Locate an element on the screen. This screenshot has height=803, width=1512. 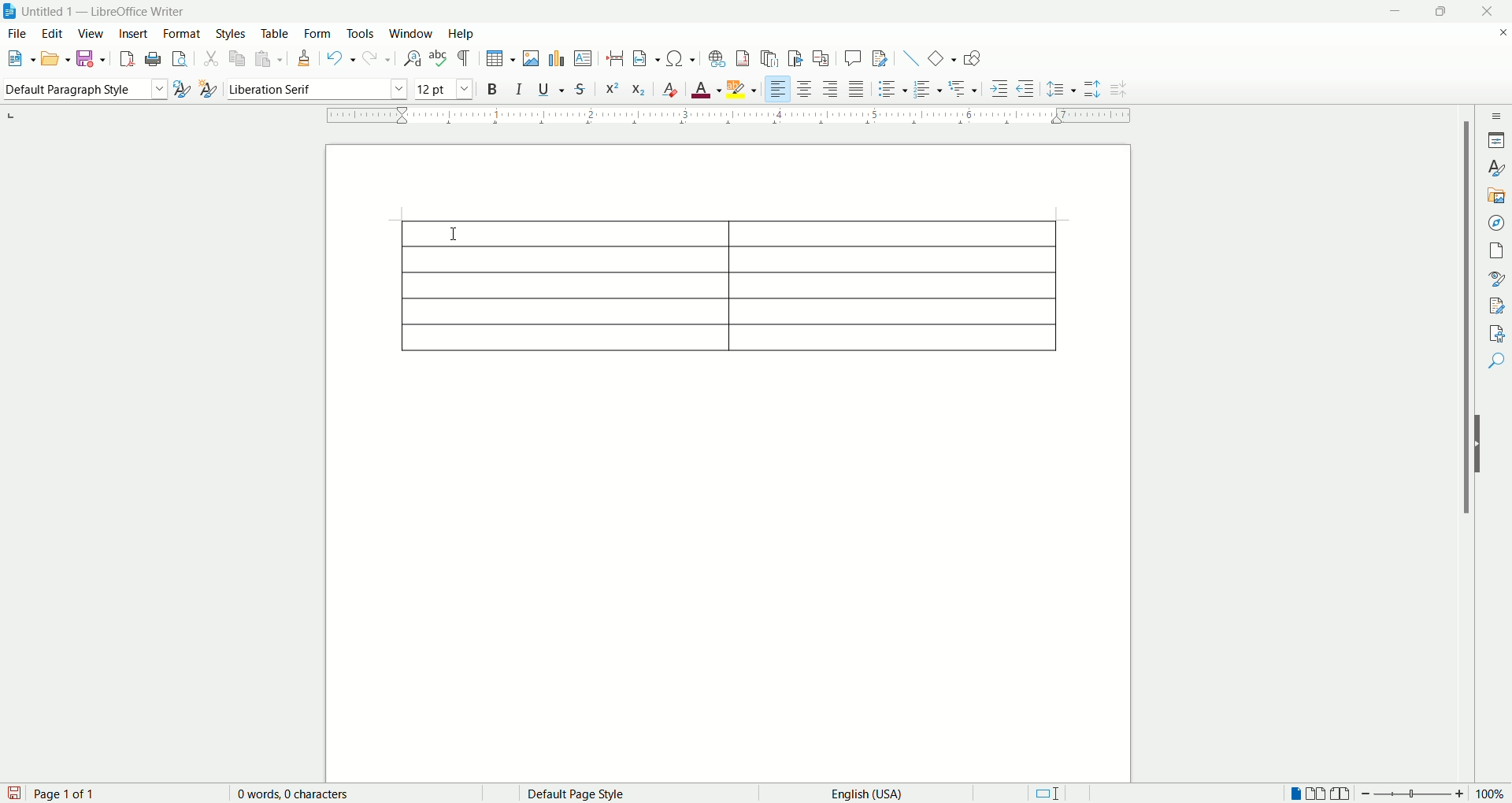
show draw functions is located at coordinates (973, 57).